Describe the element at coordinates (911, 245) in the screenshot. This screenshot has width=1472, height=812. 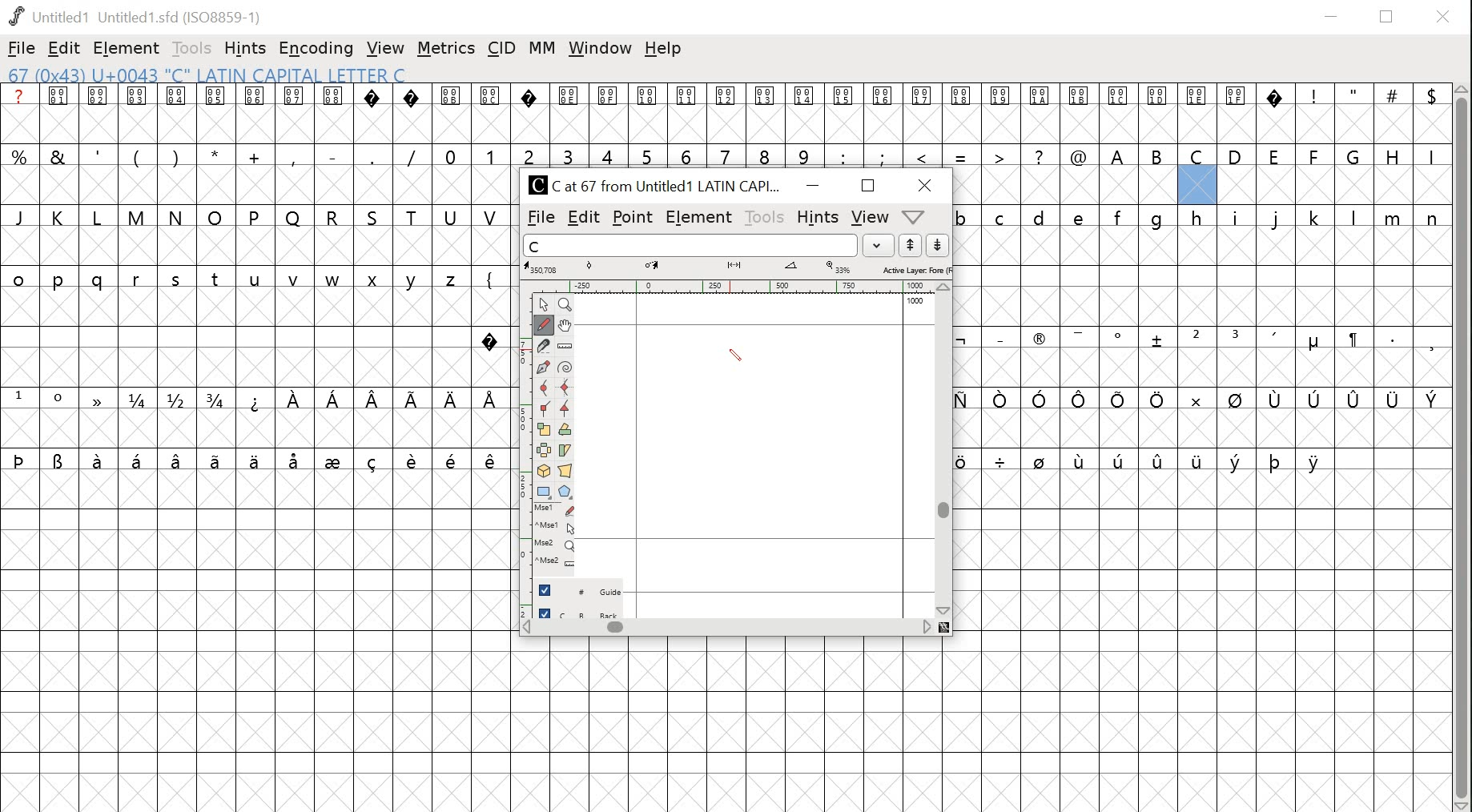
I see `up` at that location.